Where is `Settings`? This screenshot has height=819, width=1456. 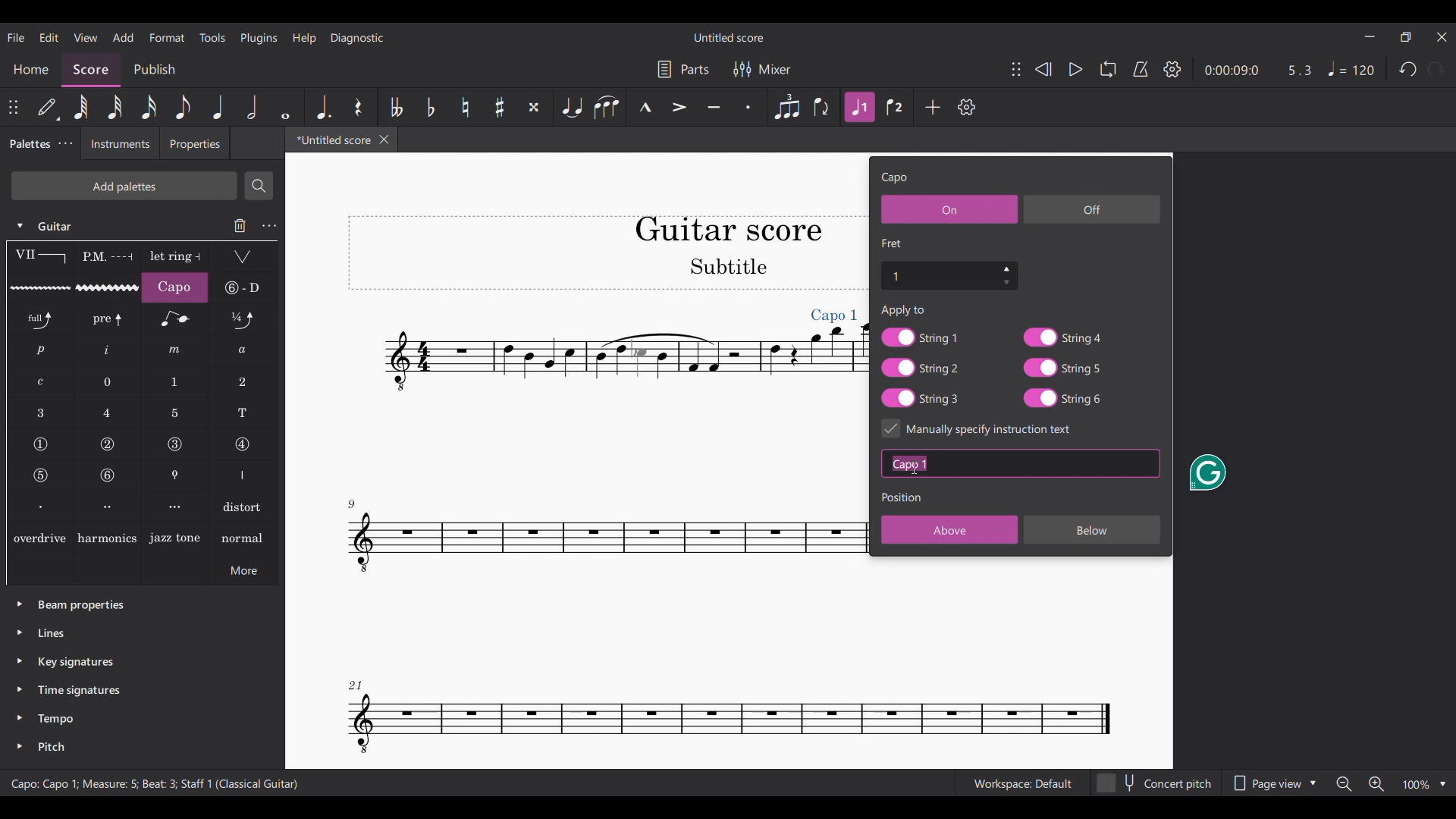 Settings is located at coordinates (967, 107).